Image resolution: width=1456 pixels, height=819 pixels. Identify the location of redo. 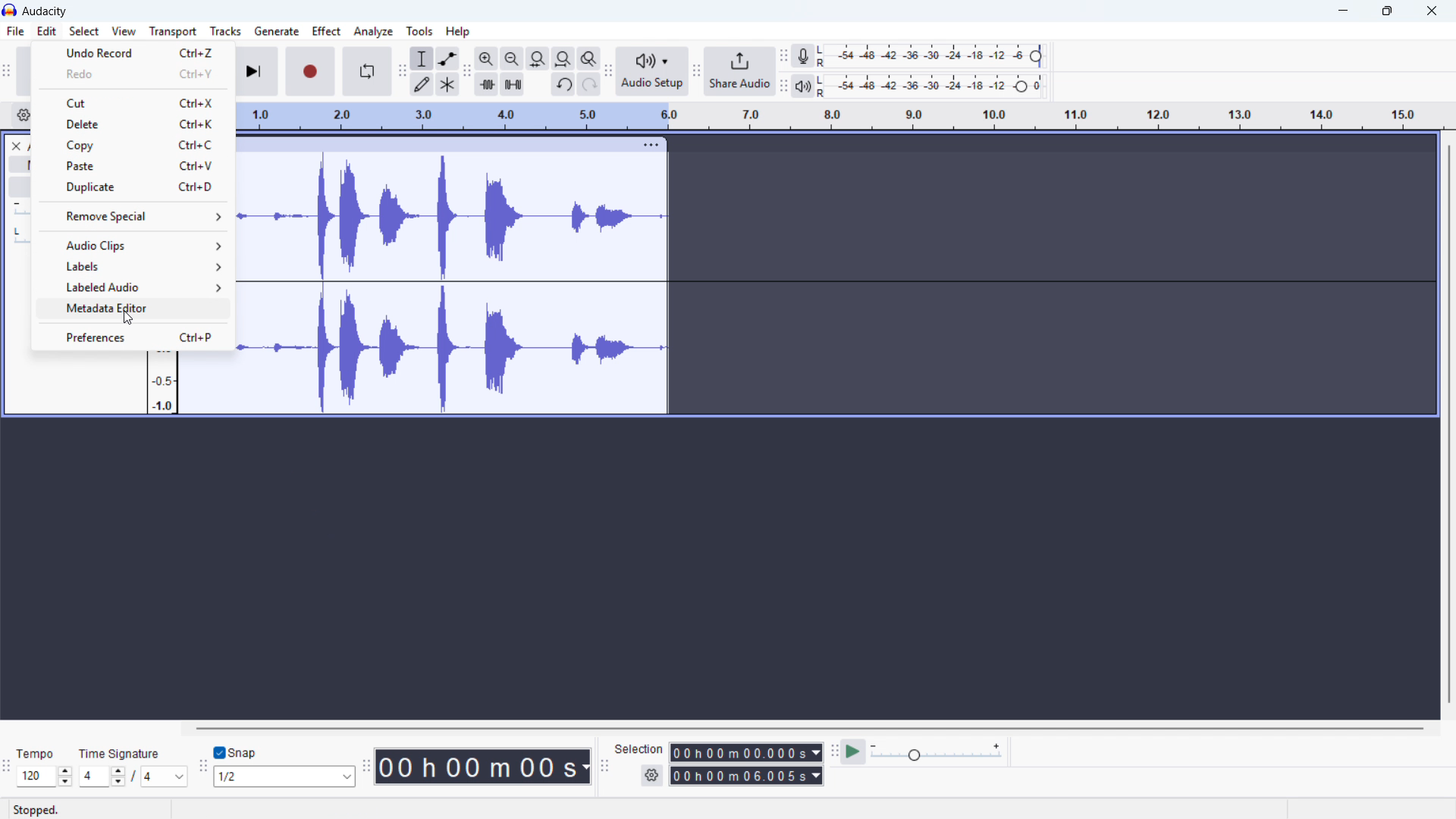
(588, 84).